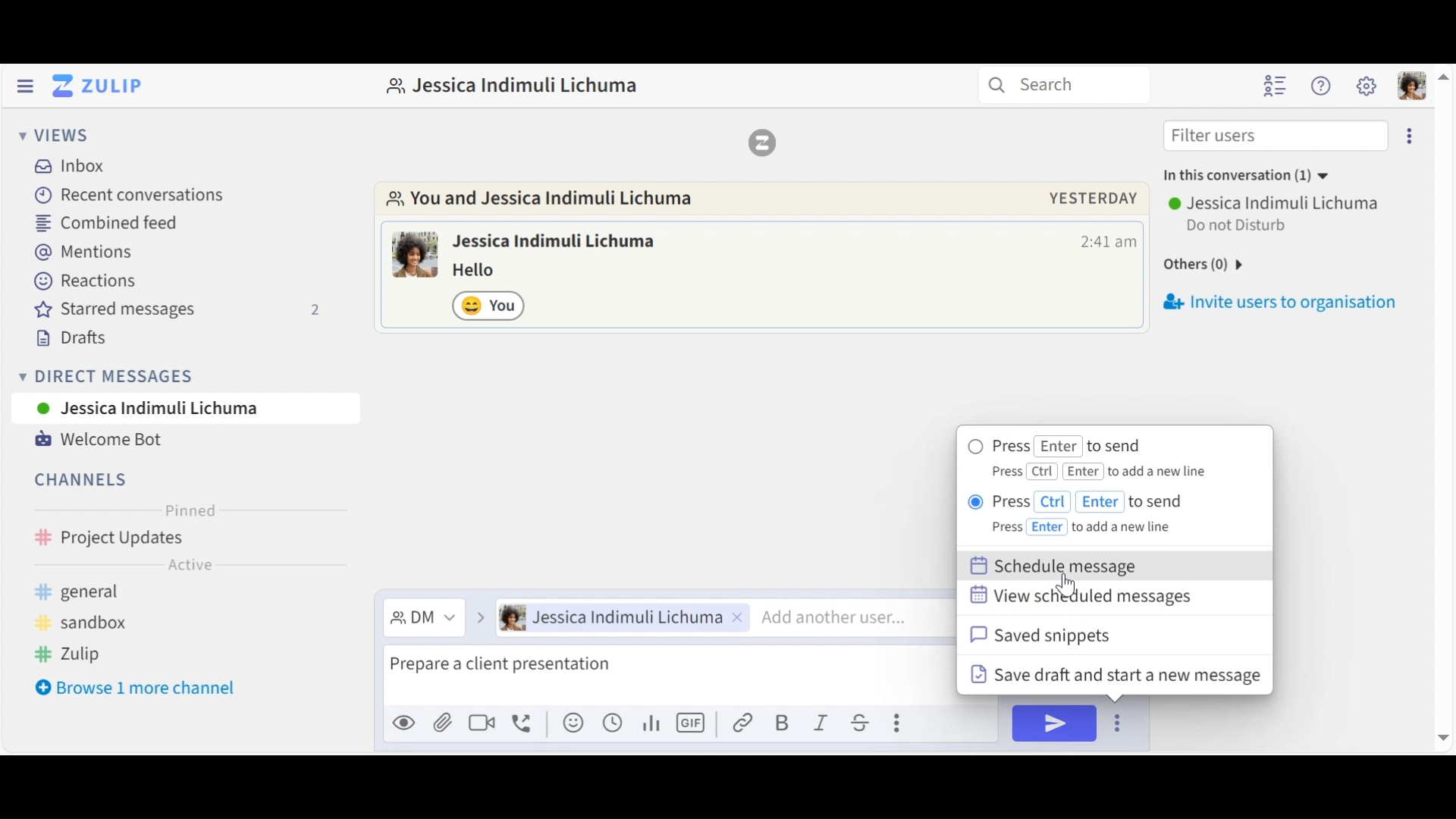 Image resolution: width=1456 pixels, height=819 pixels. Describe the element at coordinates (821, 723) in the screenshot. I see `Italics` at that location.